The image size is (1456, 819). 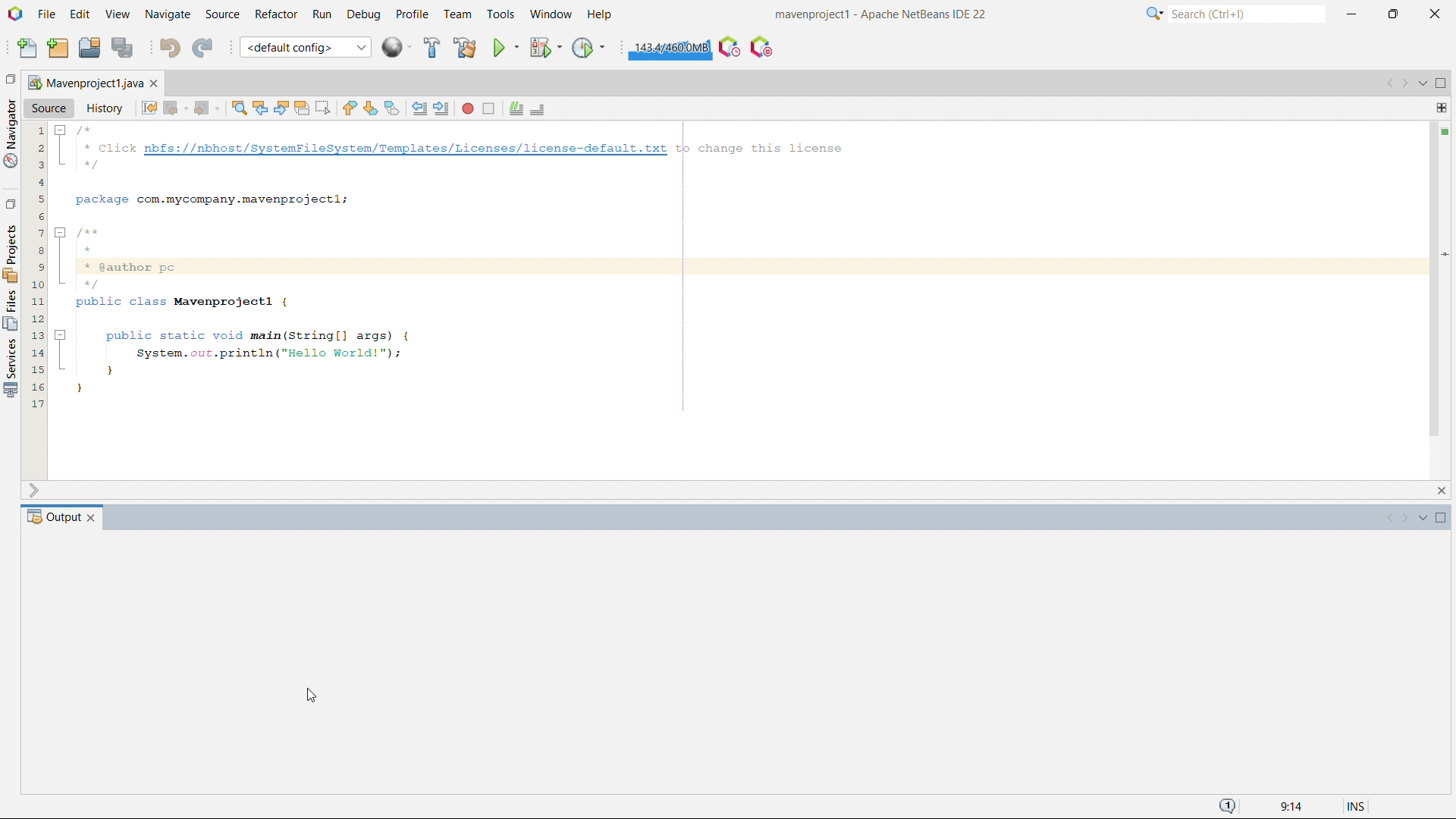 I want to click on minimize, so click(x=1351, y=14).